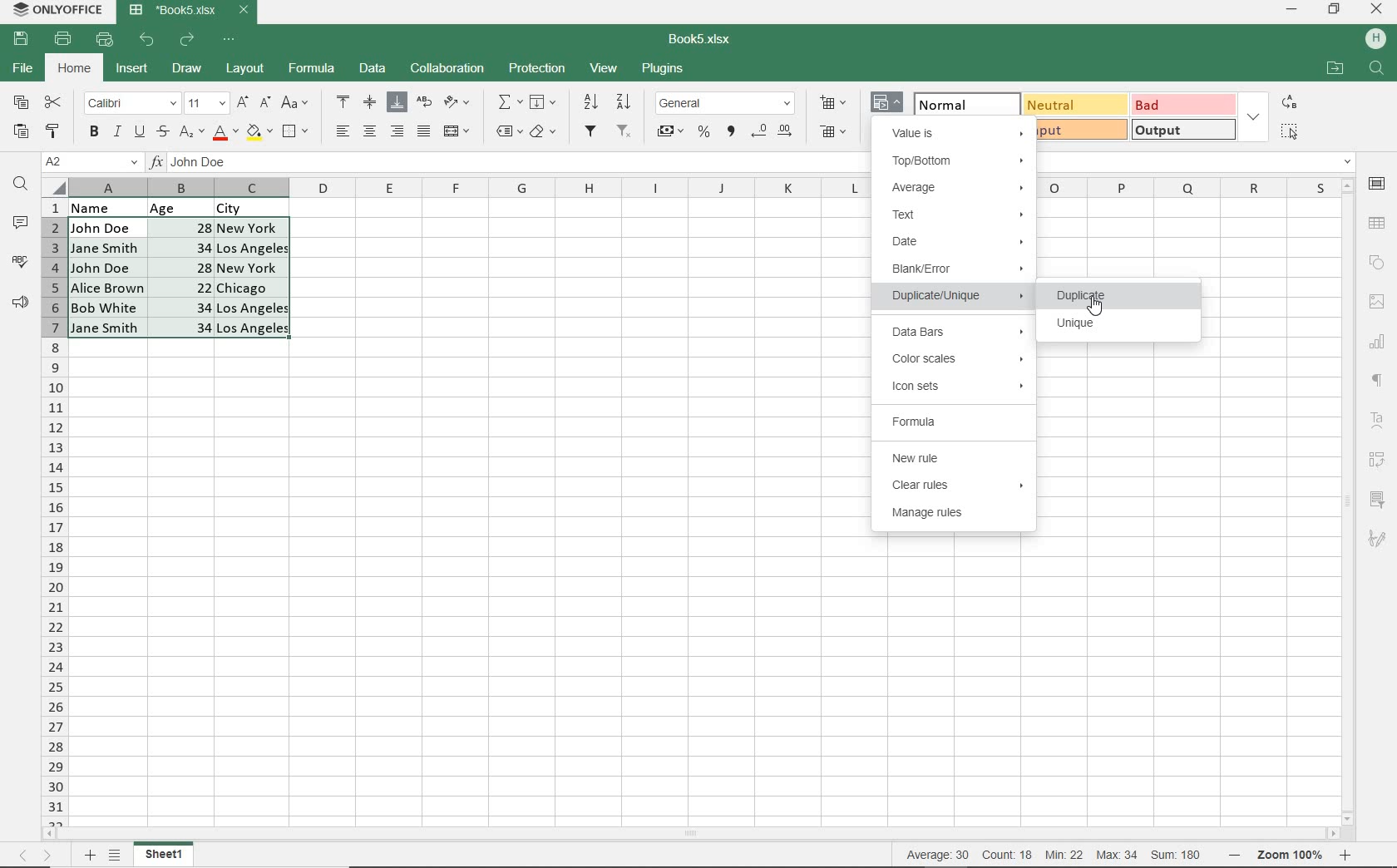 The width and height of the screenshot is (1397, 868). Describe the element at coordinates (1289, 131) in the screenshot. I see `SELECT ALL` at that location.